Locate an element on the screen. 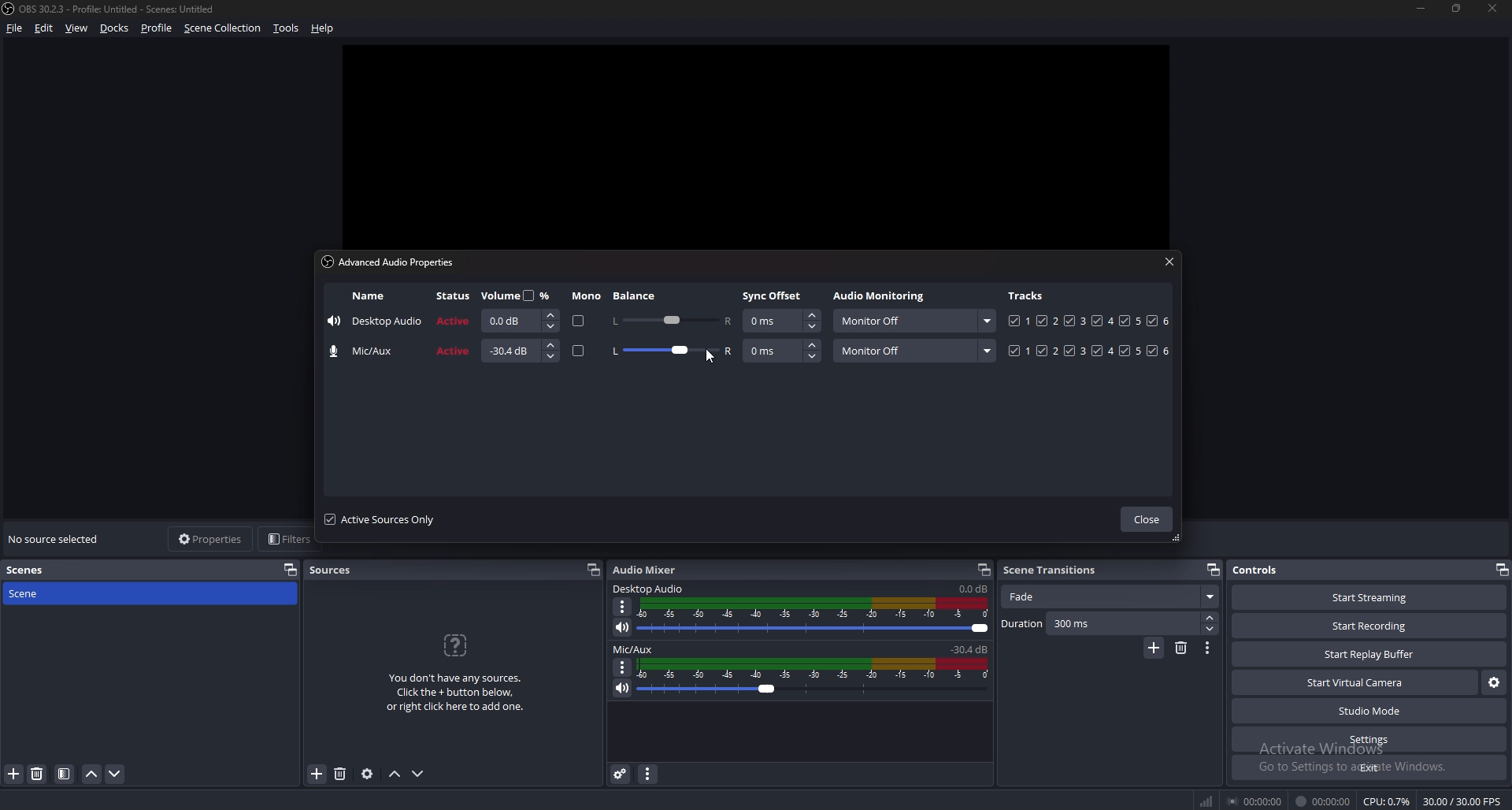  name is located at coordinates (376, 320).